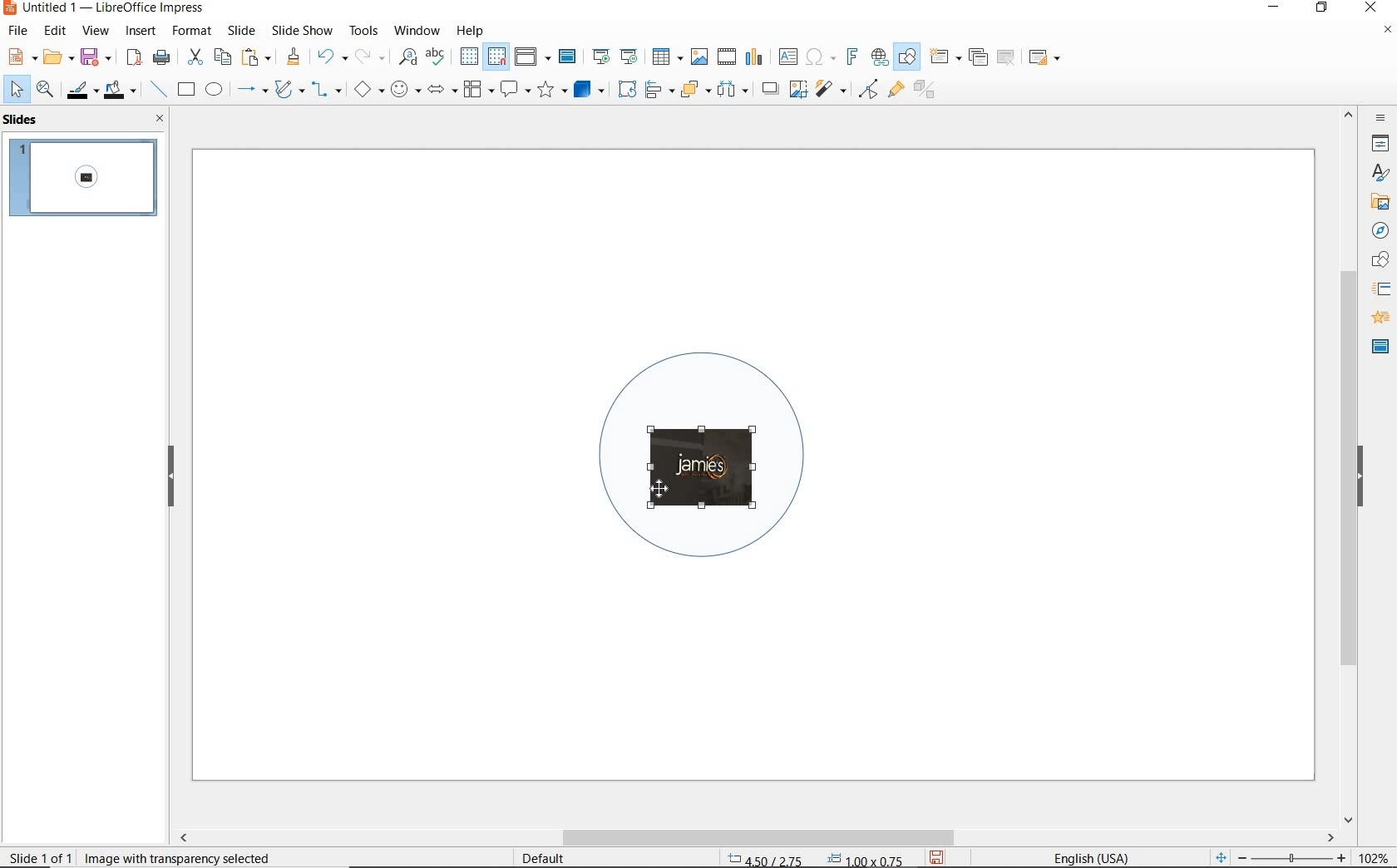 The height and width of the screenshot is (868, 1397). What do you see at coordinates (19, 31) in the screenshot?
I see `file` at bounding box center [19, 31].